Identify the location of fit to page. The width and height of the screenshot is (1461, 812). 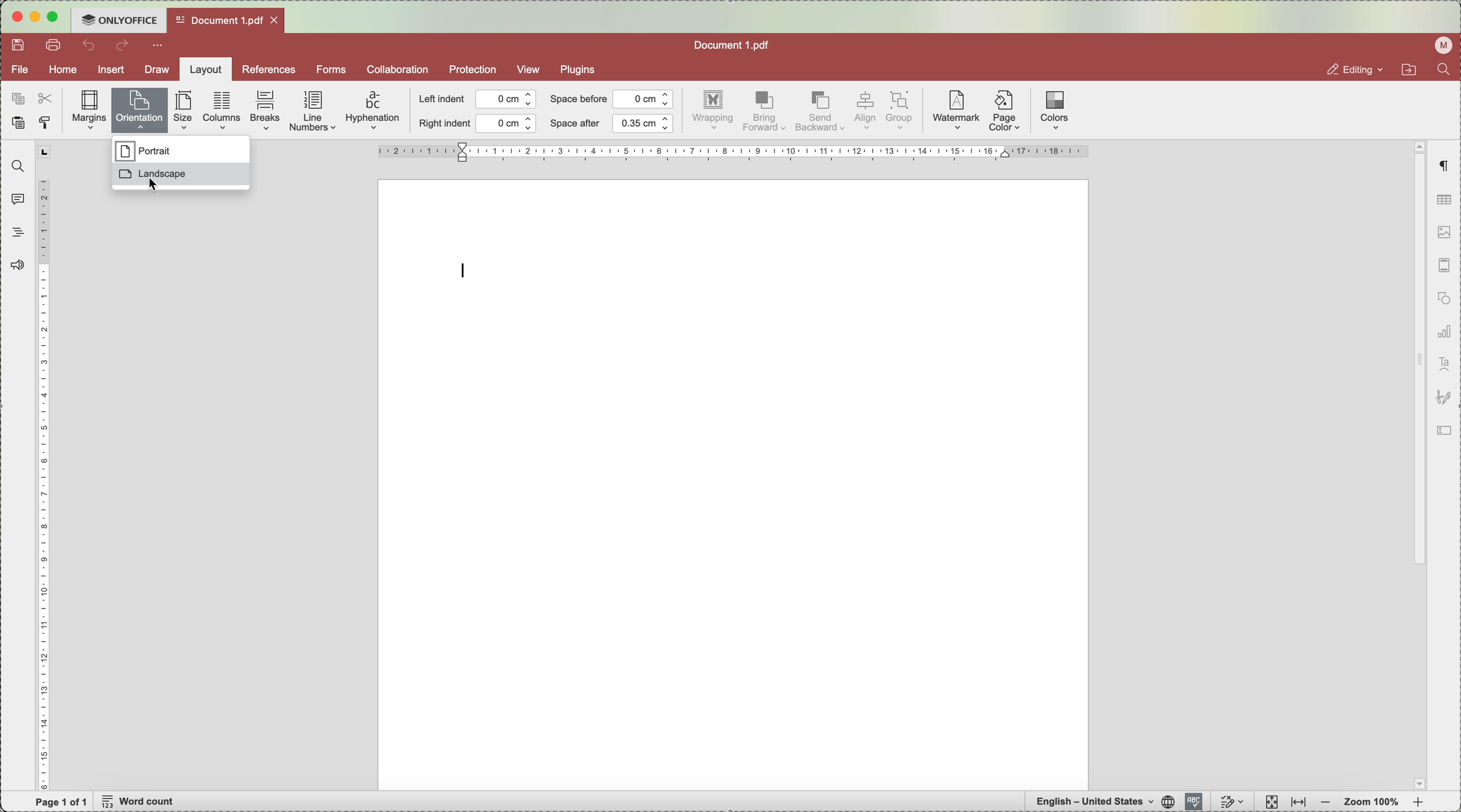
(1270, 802).